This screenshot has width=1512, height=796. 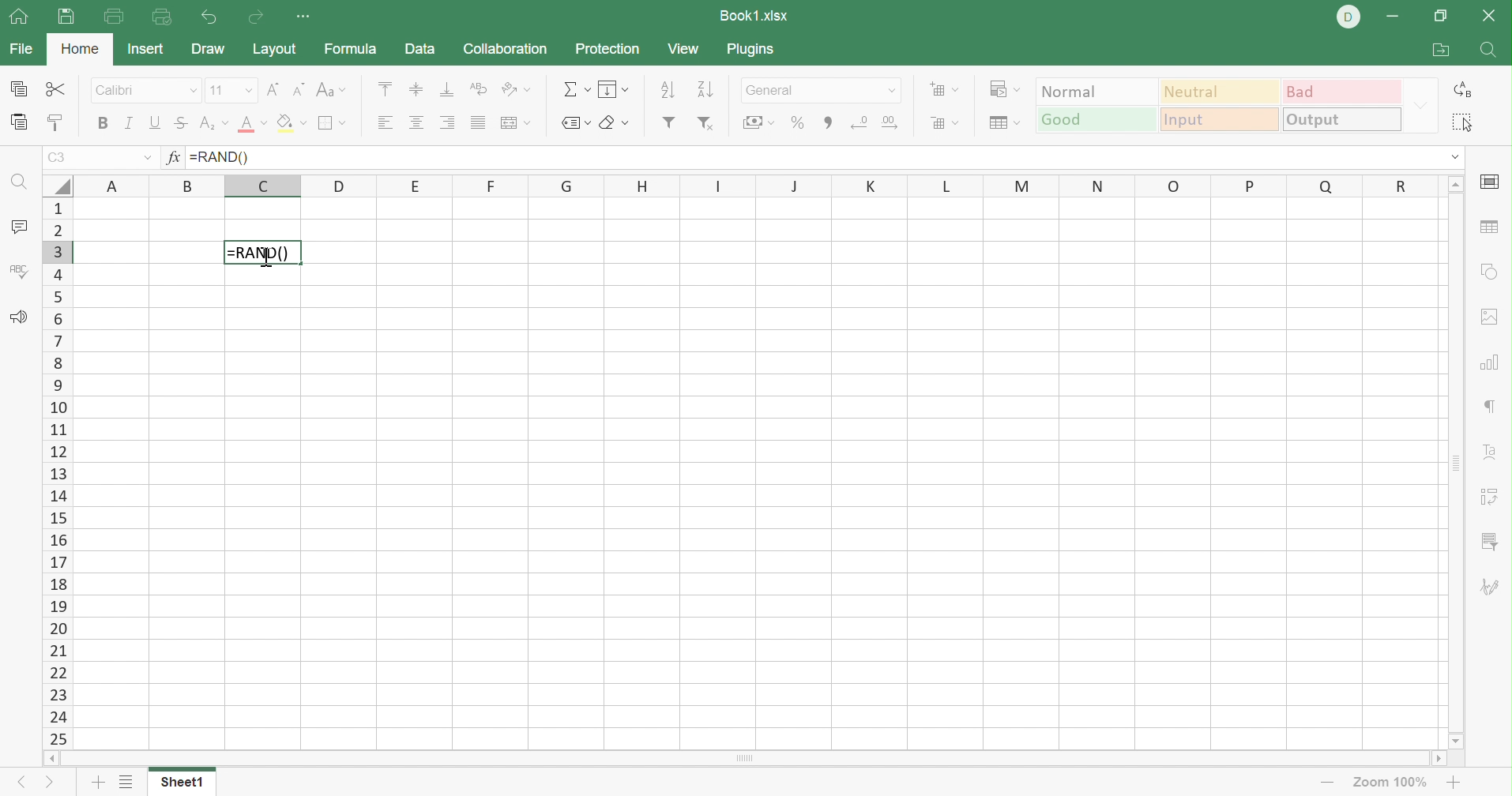 What do you see at coordinates (671, 124) in the screenshot?
I see `Filter` at bounding box center [671, 124].